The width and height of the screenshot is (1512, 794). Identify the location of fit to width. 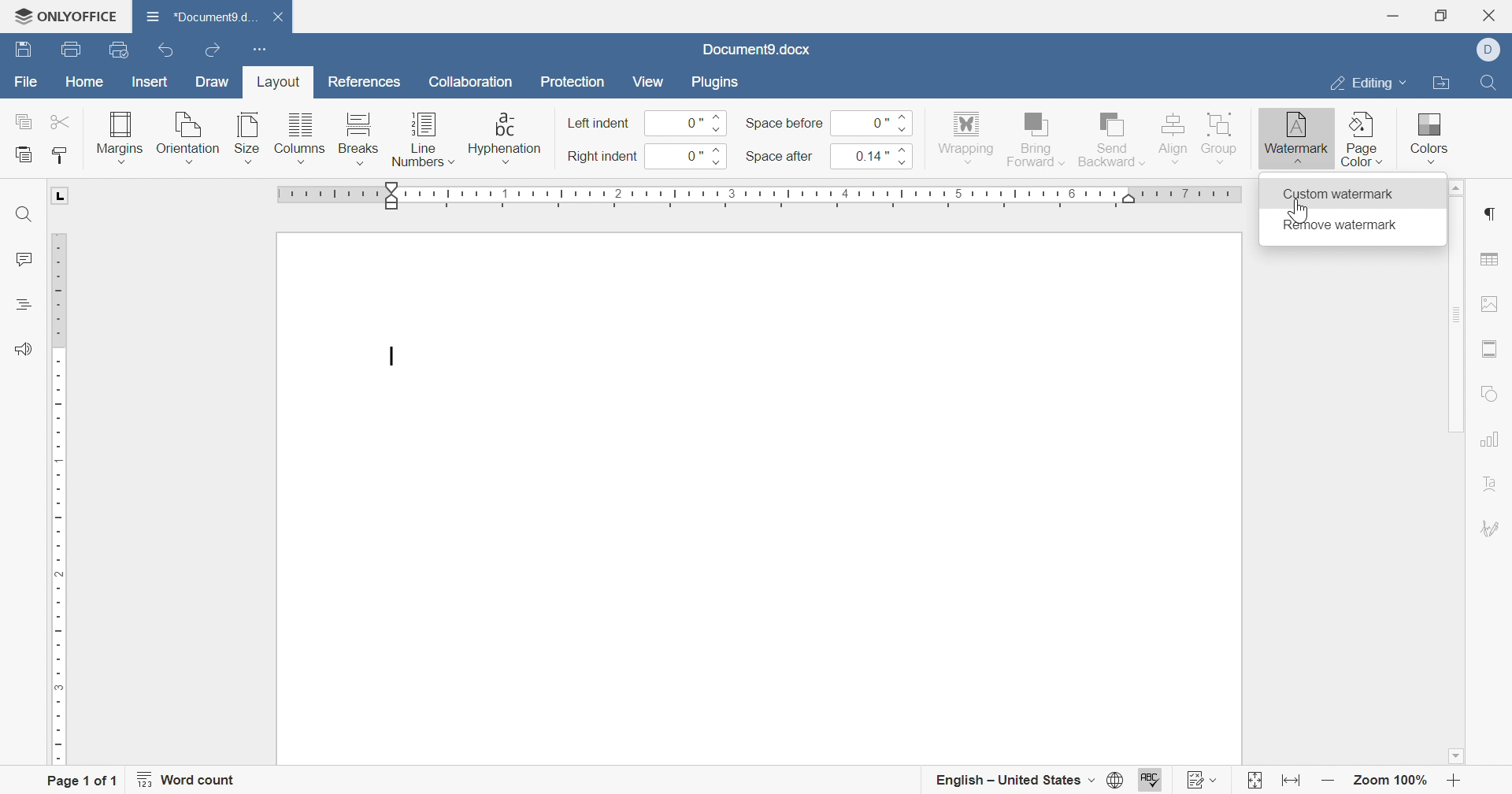
(1288, 784).